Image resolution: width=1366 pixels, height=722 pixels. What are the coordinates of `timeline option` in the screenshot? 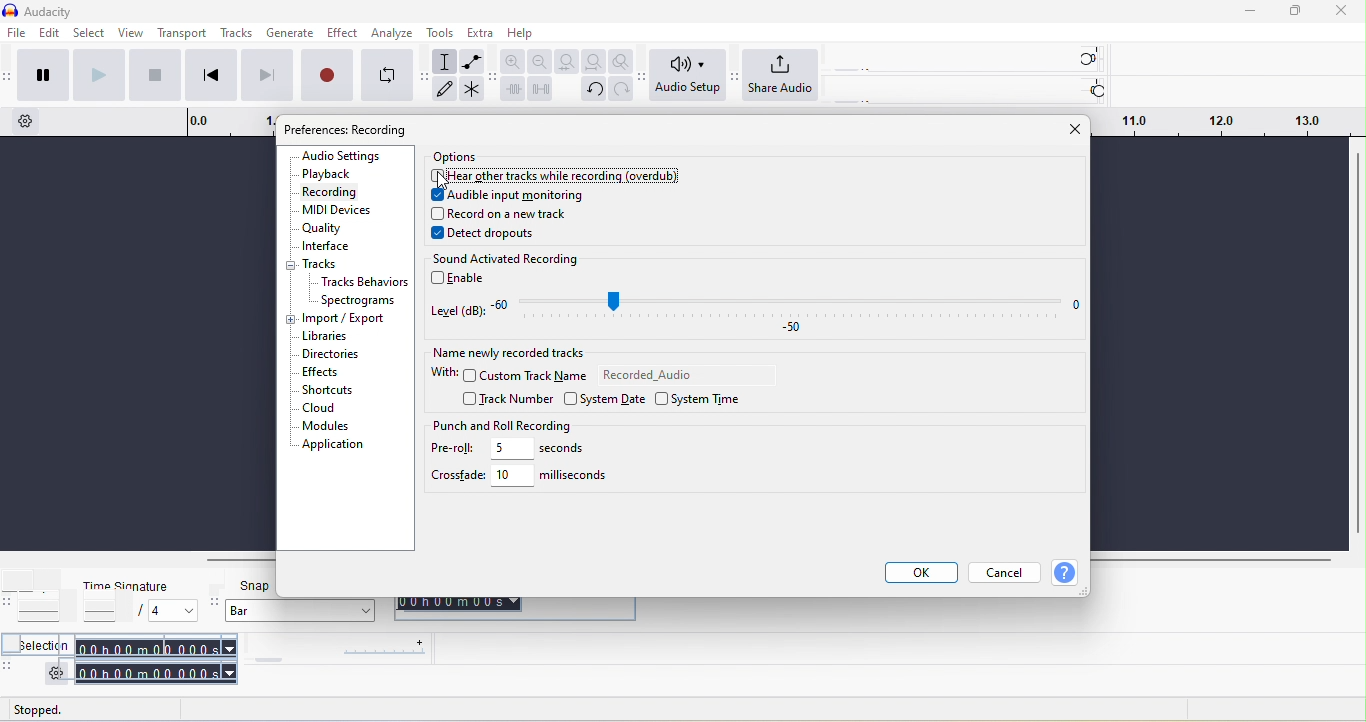 It's located at (27, 121).